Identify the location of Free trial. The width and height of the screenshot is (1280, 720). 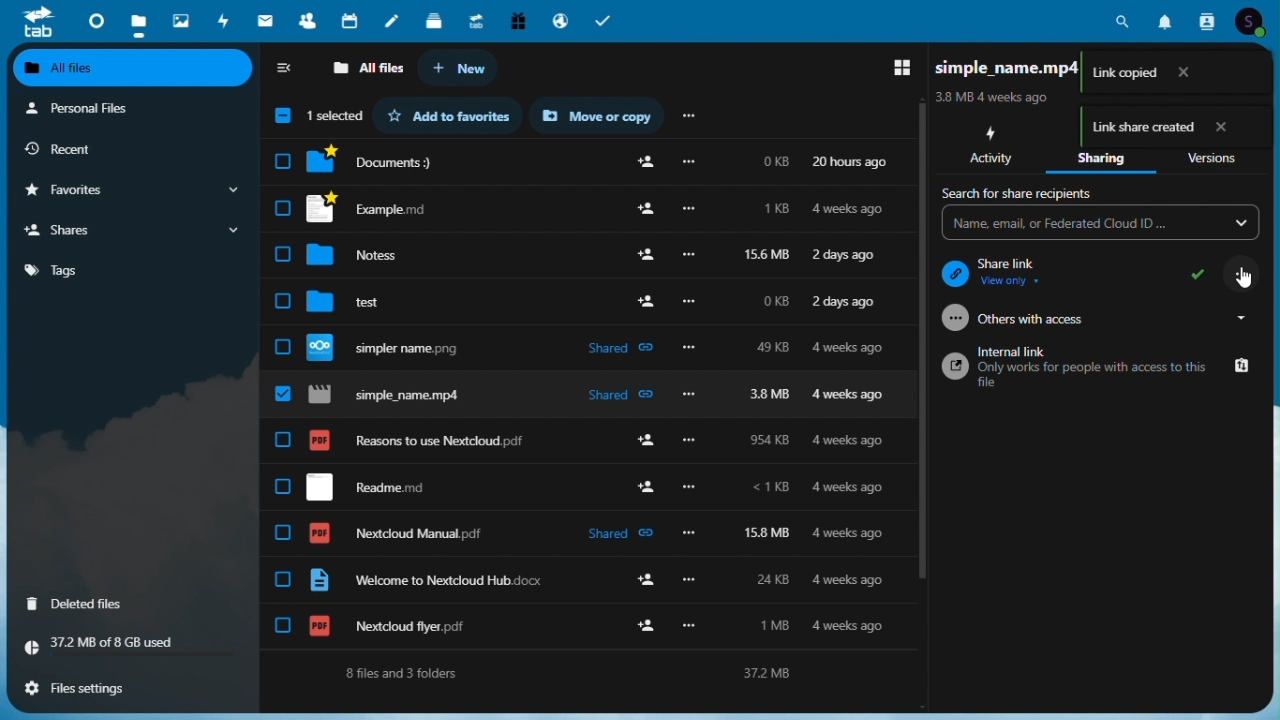
(516, 20).